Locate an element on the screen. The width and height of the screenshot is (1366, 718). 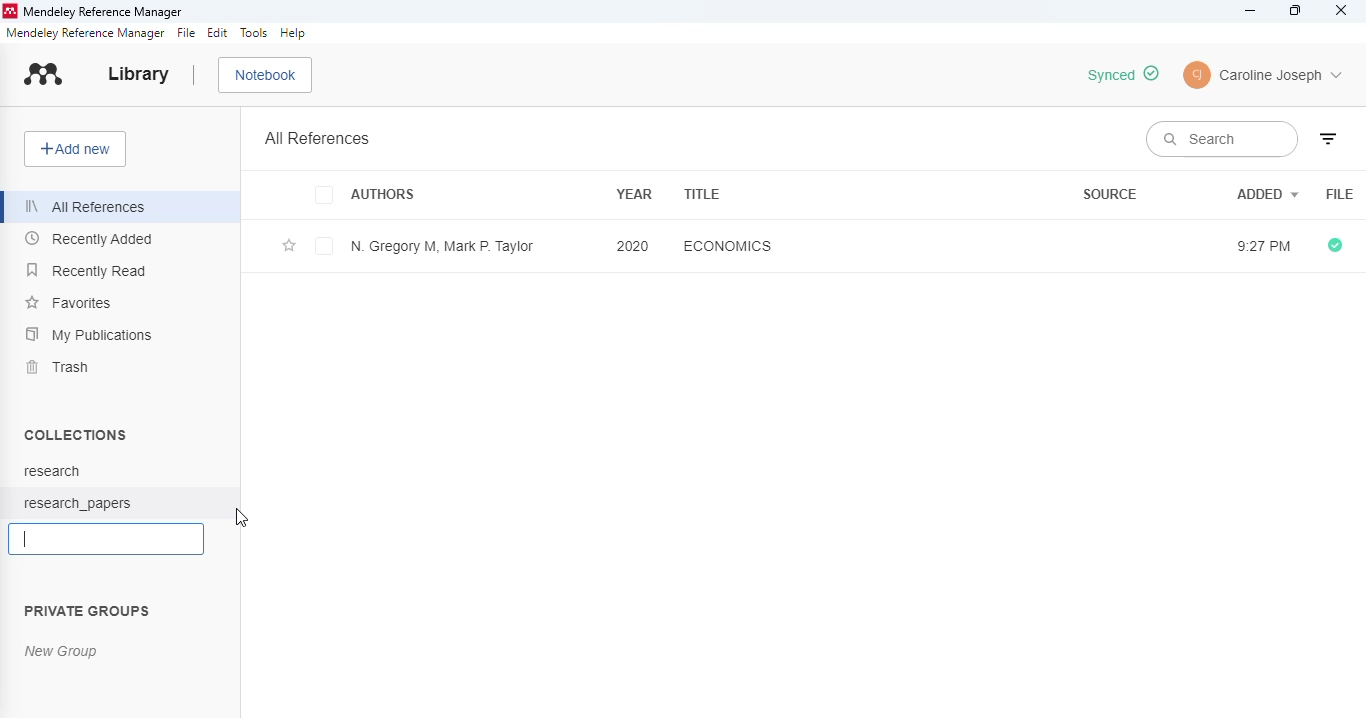
research is located at coordinates (52, 471).